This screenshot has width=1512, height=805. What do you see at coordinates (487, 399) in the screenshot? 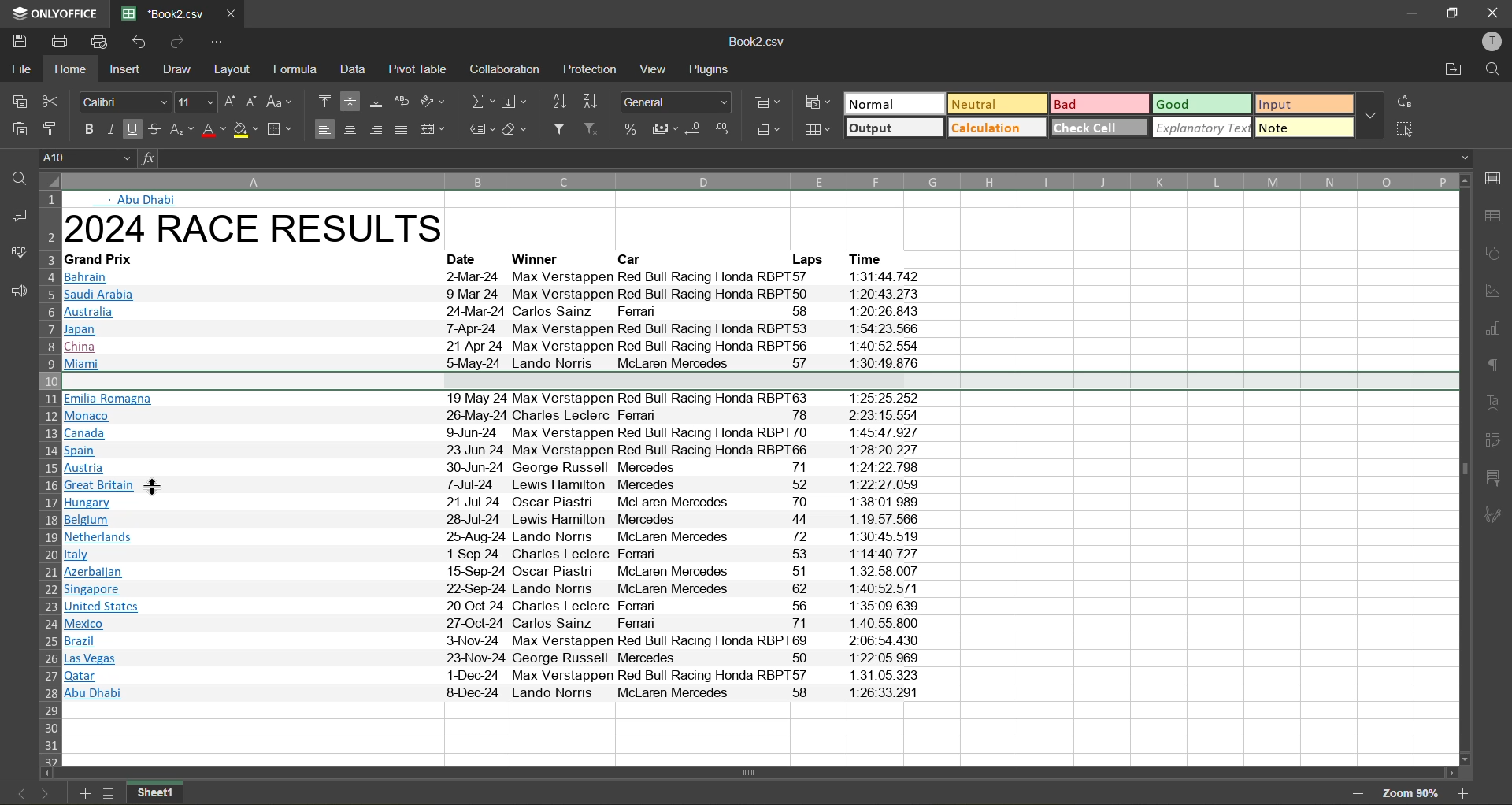
I see `Emilia-Romagna 19-May-24 Max Verstappen Red Bull Racing Honda RBPT63 1:25:25.252` at bounding box center [487, 399].